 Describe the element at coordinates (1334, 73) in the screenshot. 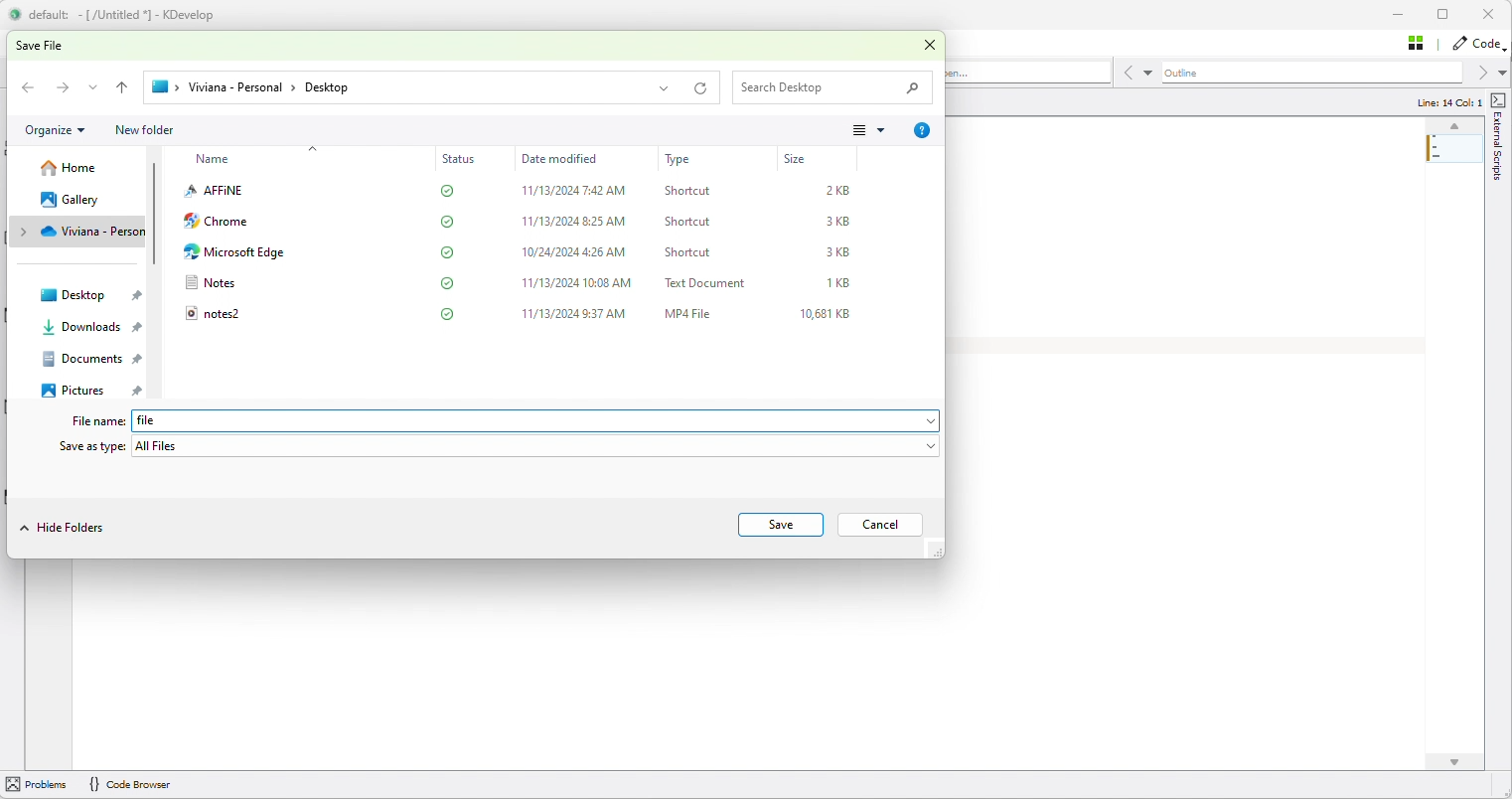

I see `Outline` at that location.